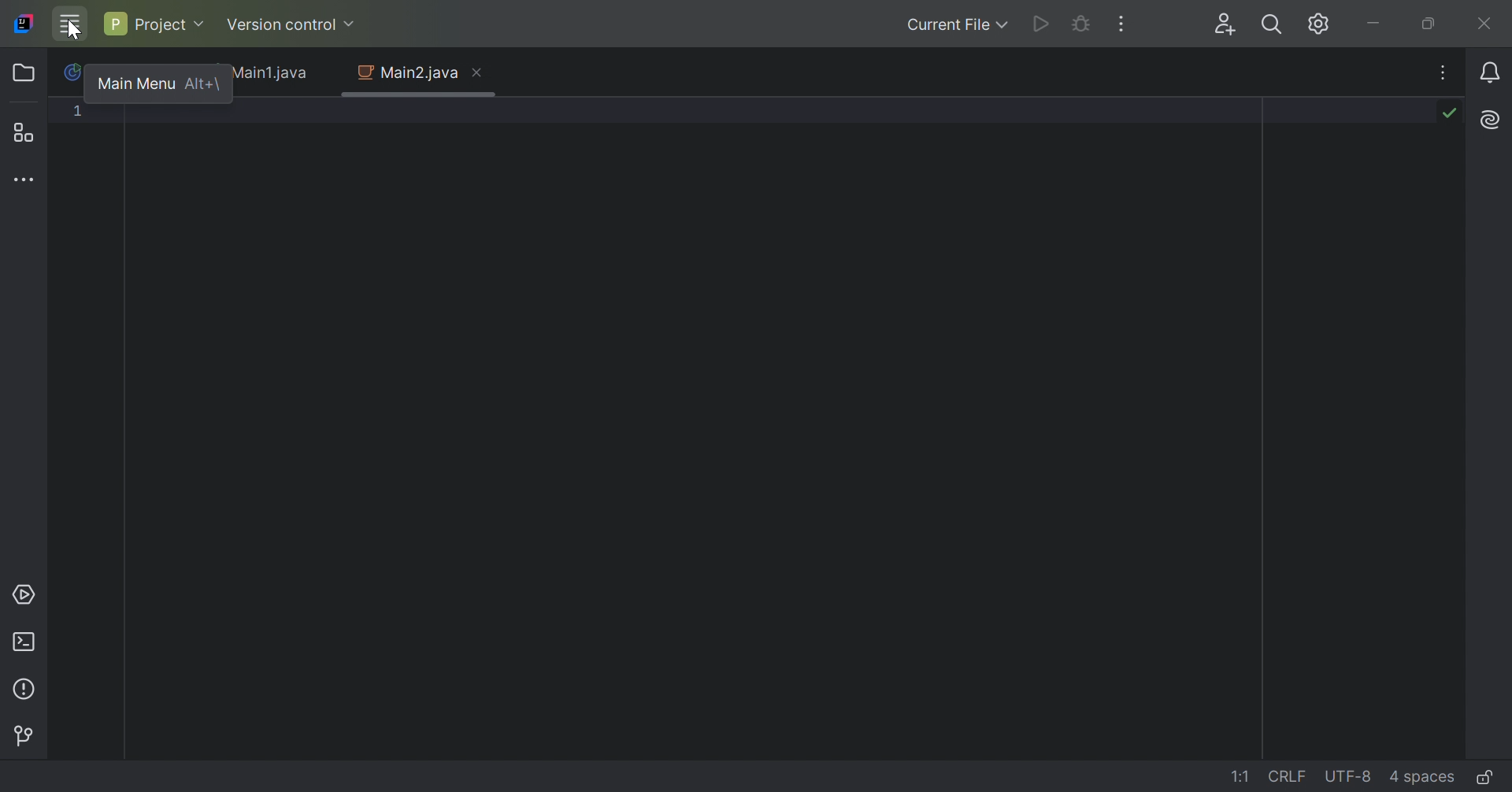 This screenshot has height=792, width=1512. Describe the element at coordinates (480, 72) in the screenshot. I see `close tab` at that location.